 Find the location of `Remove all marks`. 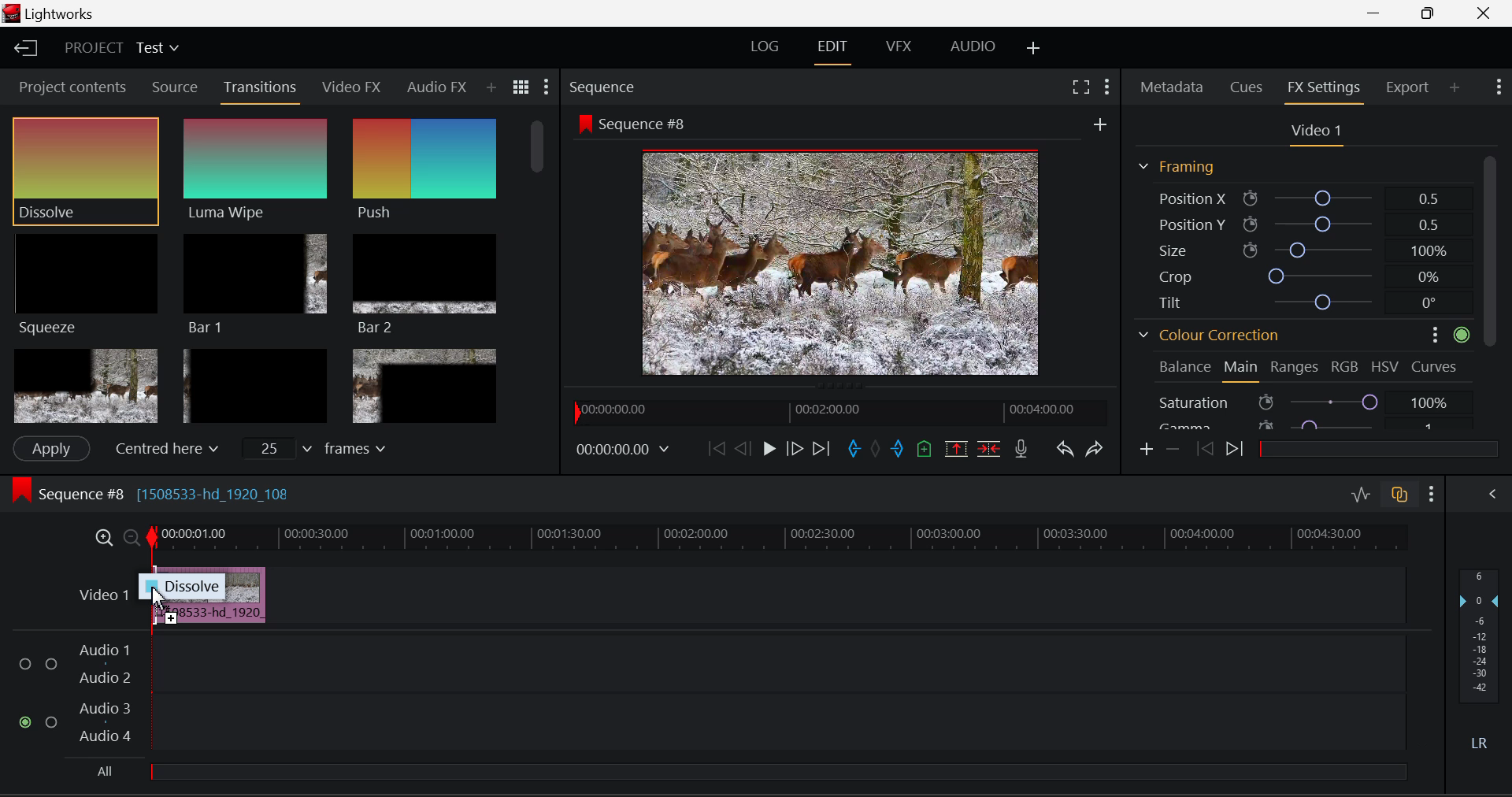

Remove all marks is located at coordinates (875, 449).